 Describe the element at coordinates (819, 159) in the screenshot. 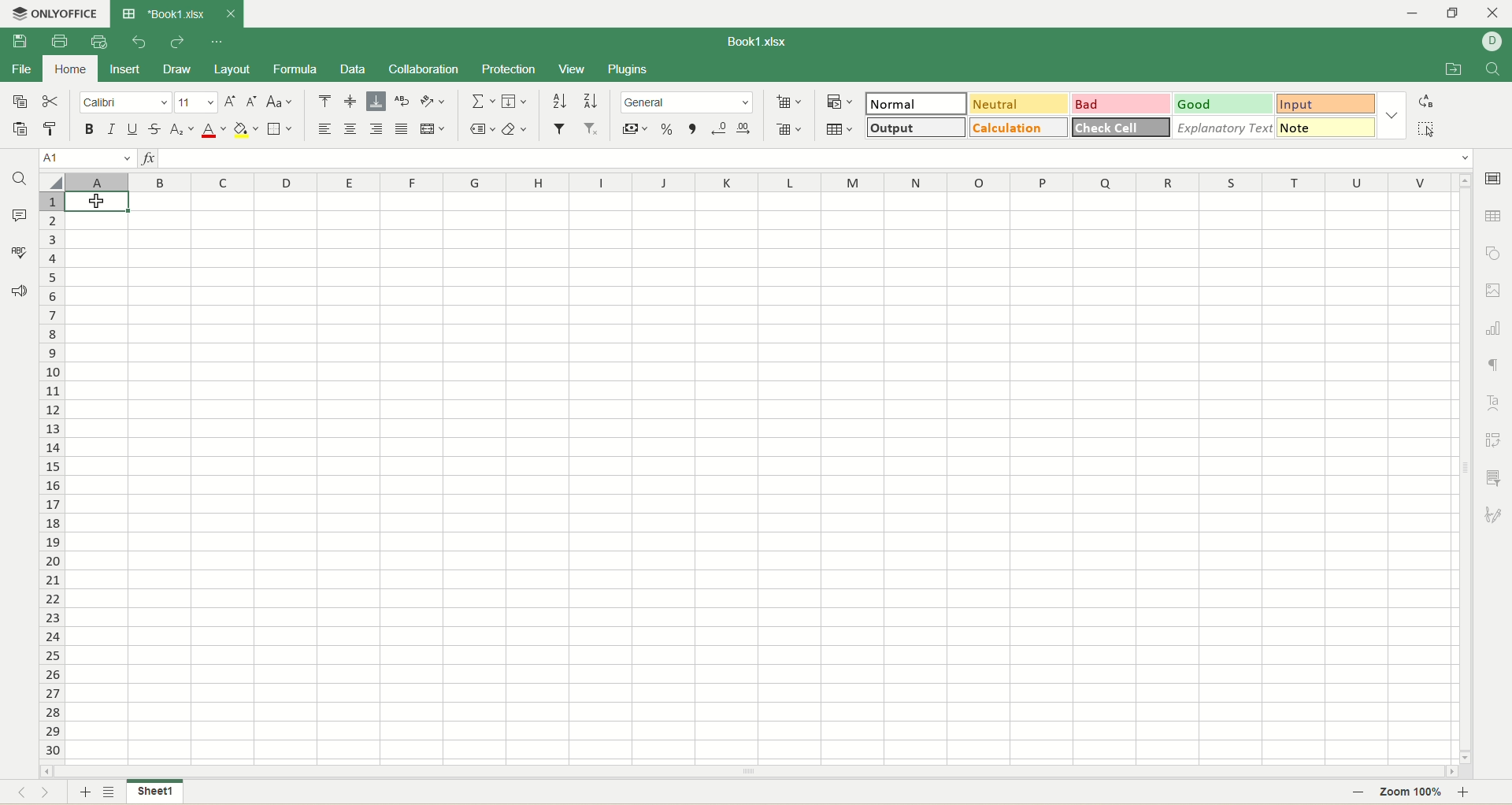

I see `input line` at that location.